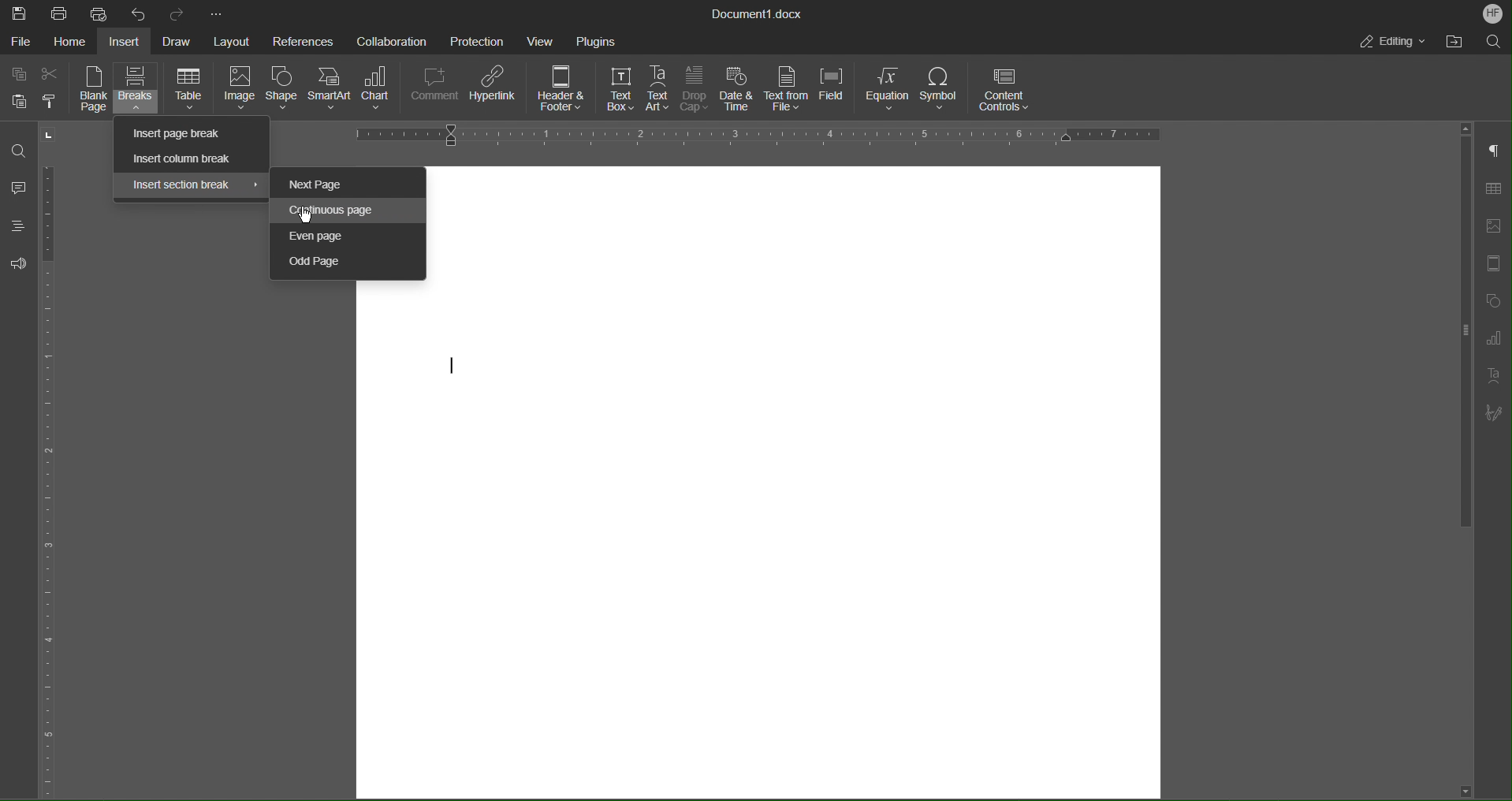 This screenshot has height=801, width=1512. What do you see at coordinates (17, 185) in the screenshot?
I see `Comments` at bounding box center [17, 185].